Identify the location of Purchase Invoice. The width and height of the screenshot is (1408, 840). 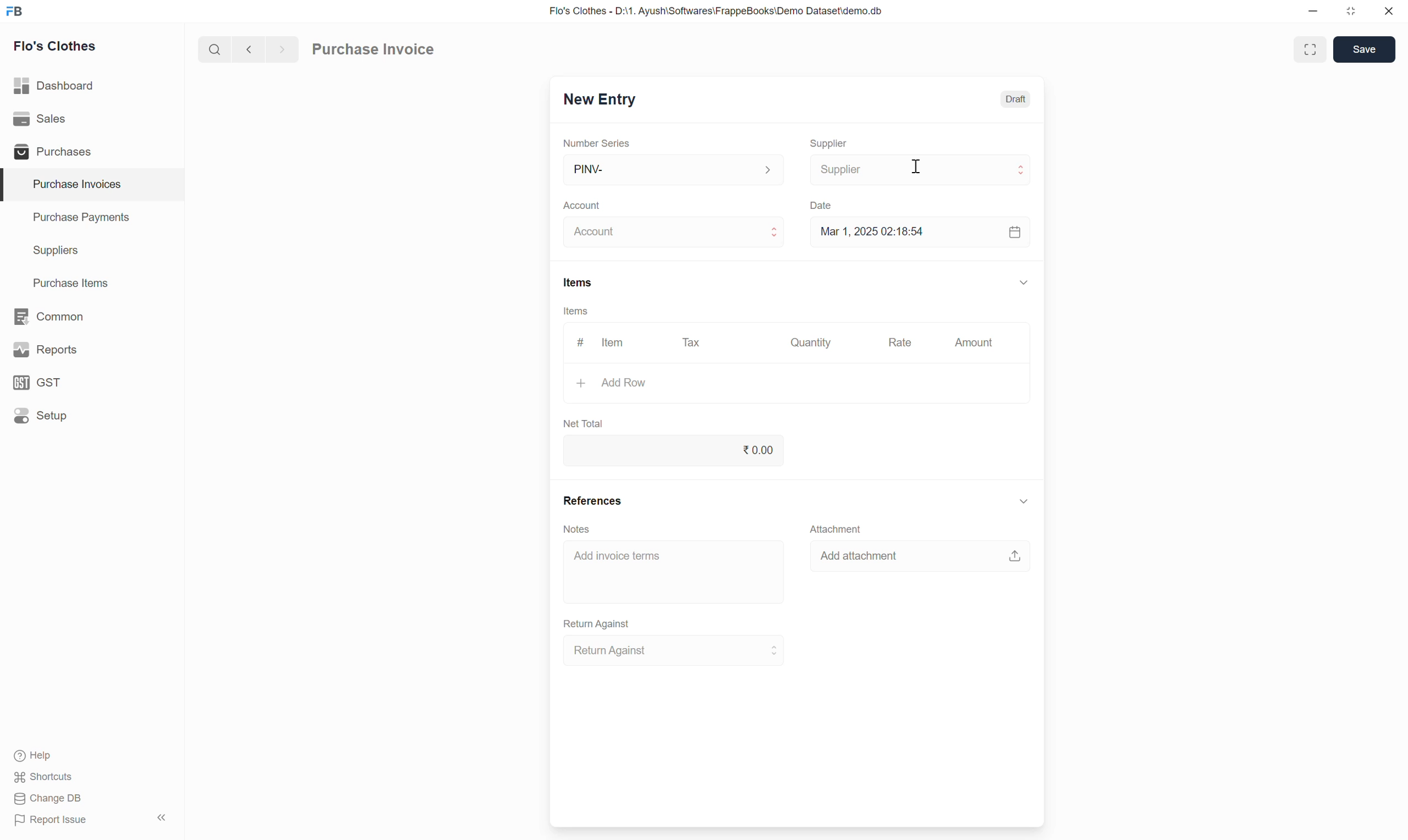
(374, 49).